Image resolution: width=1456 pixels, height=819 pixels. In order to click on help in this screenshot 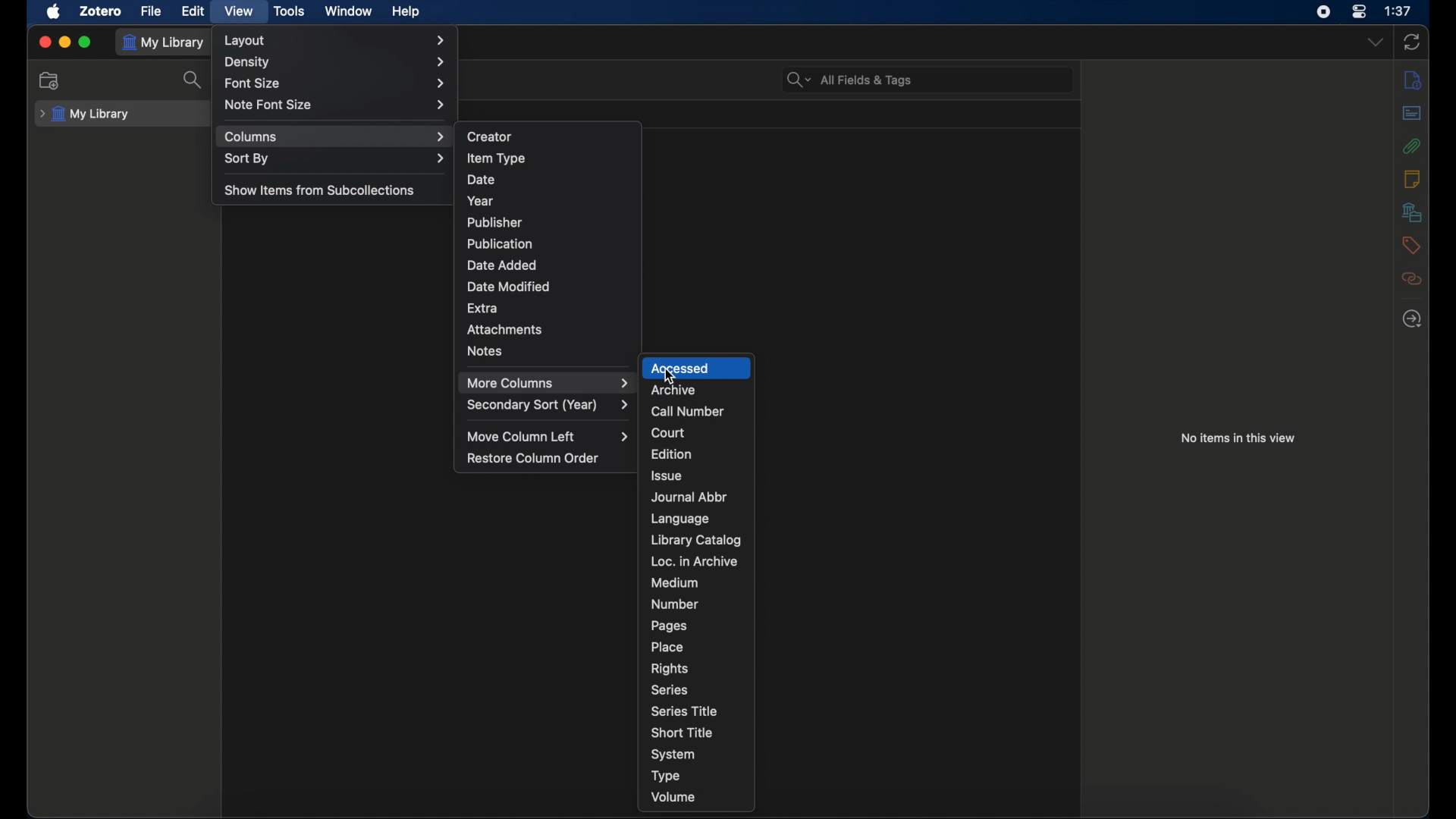, I will do `click(407, 13)`.